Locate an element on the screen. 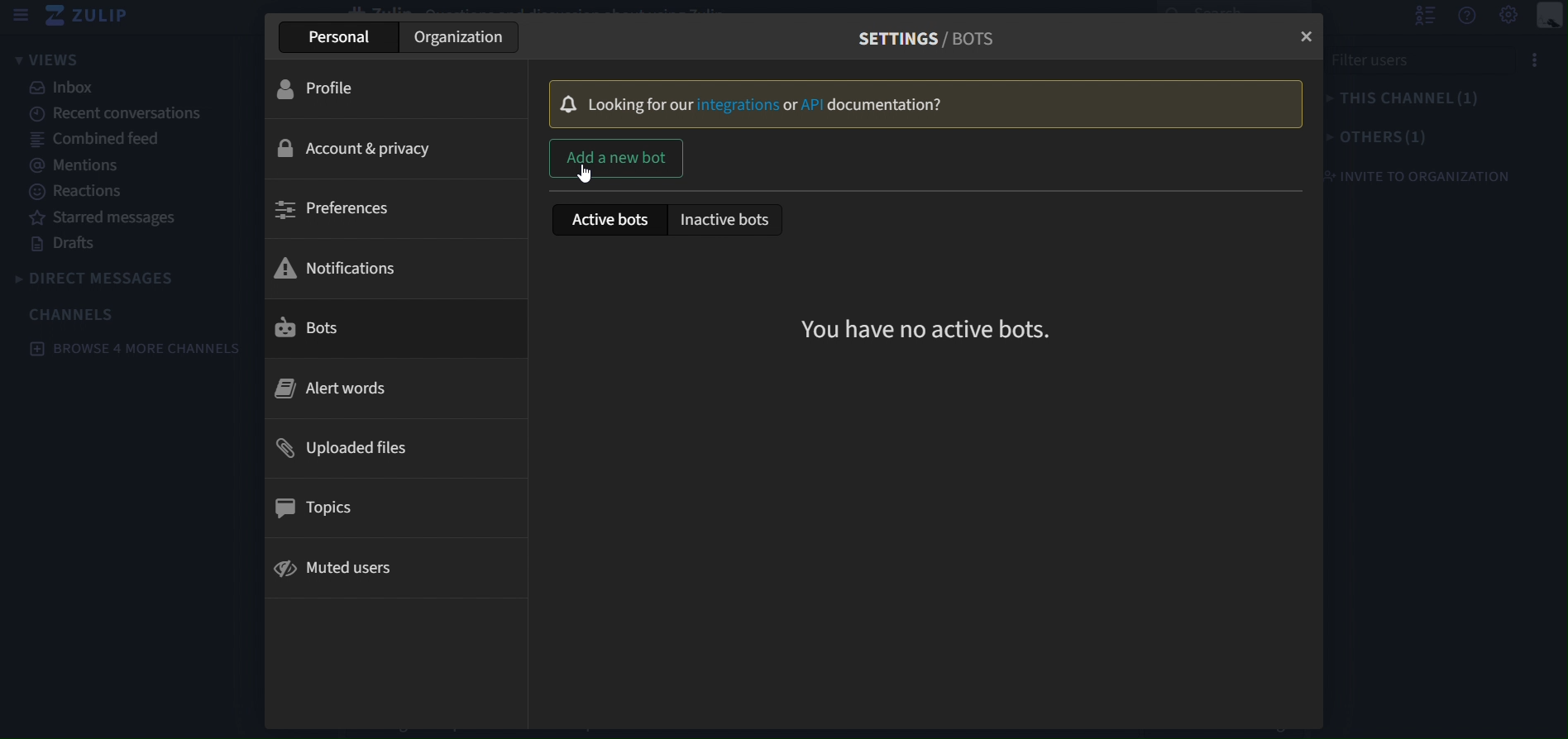 This screenshot has width=1568, height=739. this channel(1) is located at coordinates (1403, 102).